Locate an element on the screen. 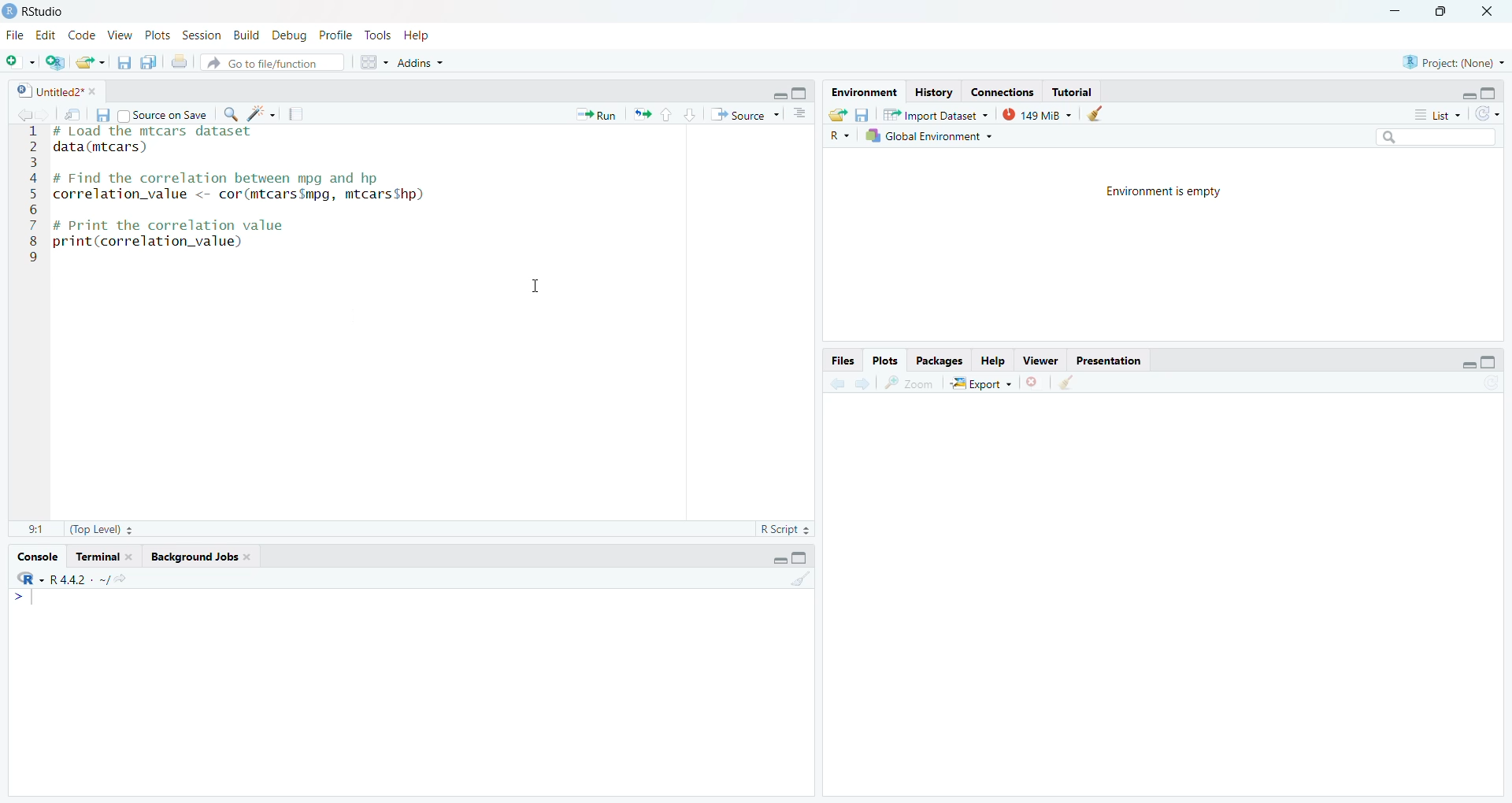  Close is located at coordinates (1492, 9).